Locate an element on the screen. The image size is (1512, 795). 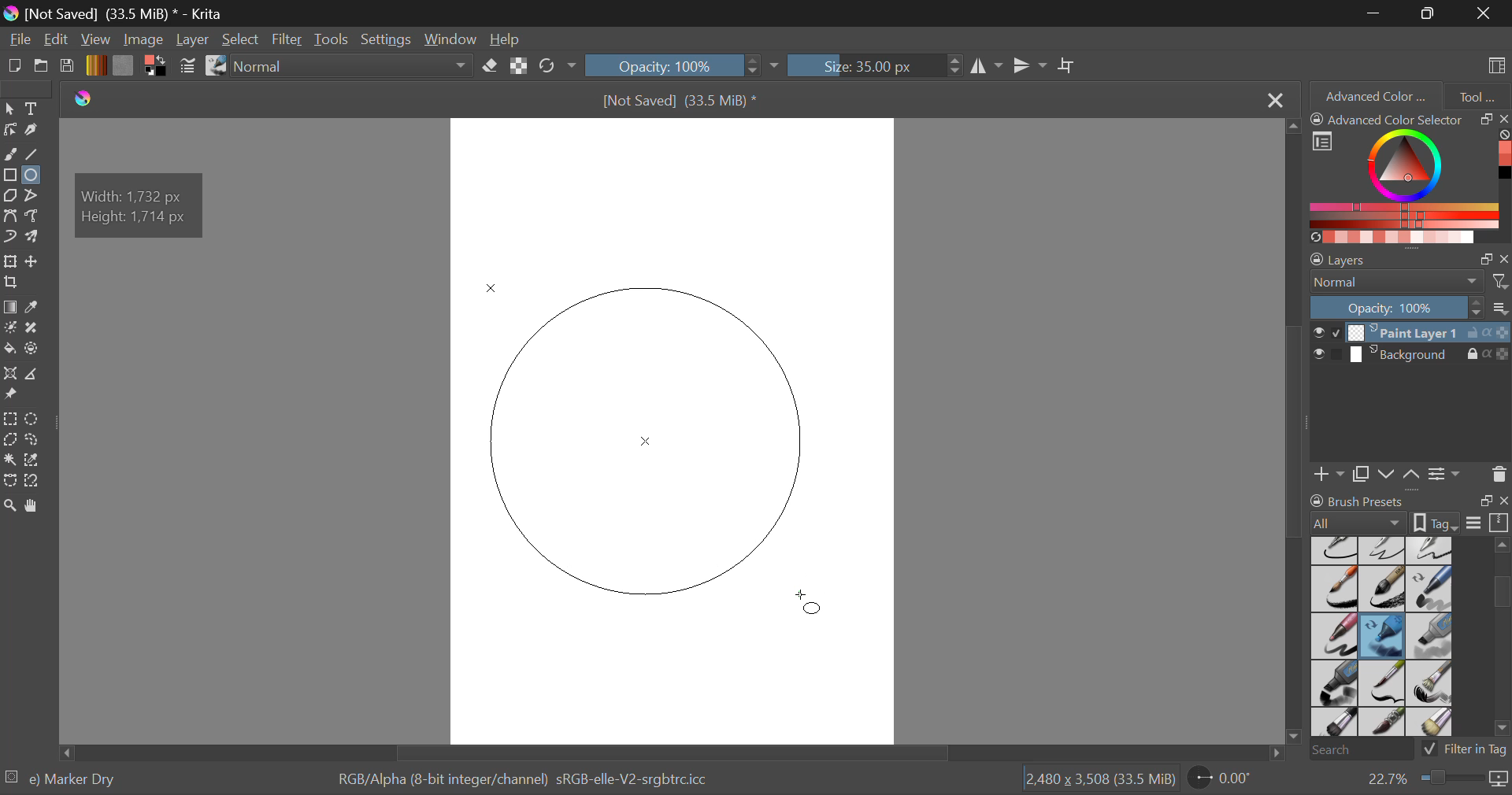
Brush Settings is located at coordinates (187, 67).